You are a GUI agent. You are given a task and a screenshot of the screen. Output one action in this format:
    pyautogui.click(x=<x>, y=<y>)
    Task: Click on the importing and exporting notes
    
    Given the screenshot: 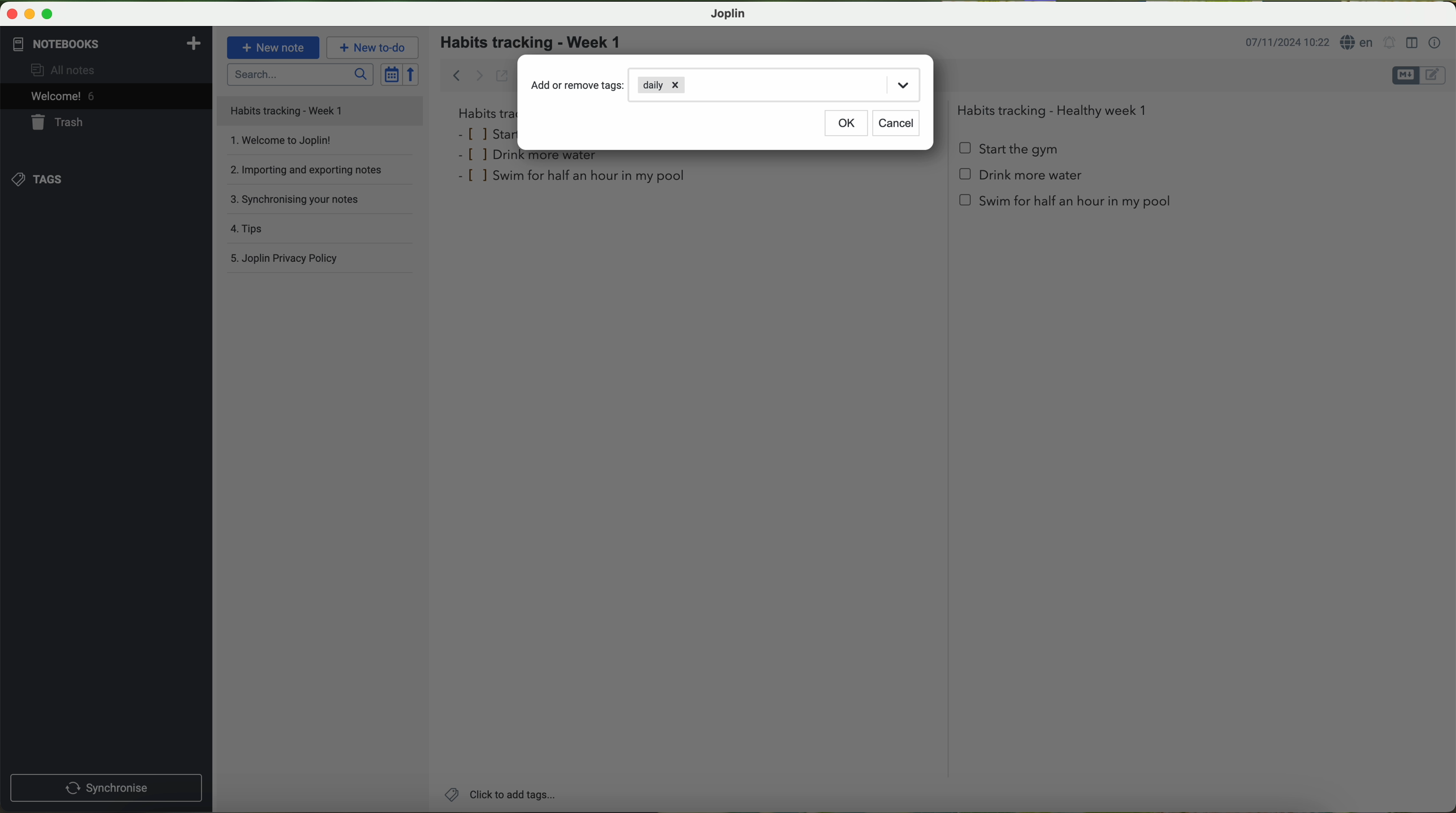 What is the action you would take?
    pyautogui.click(x=319, y=174)
    